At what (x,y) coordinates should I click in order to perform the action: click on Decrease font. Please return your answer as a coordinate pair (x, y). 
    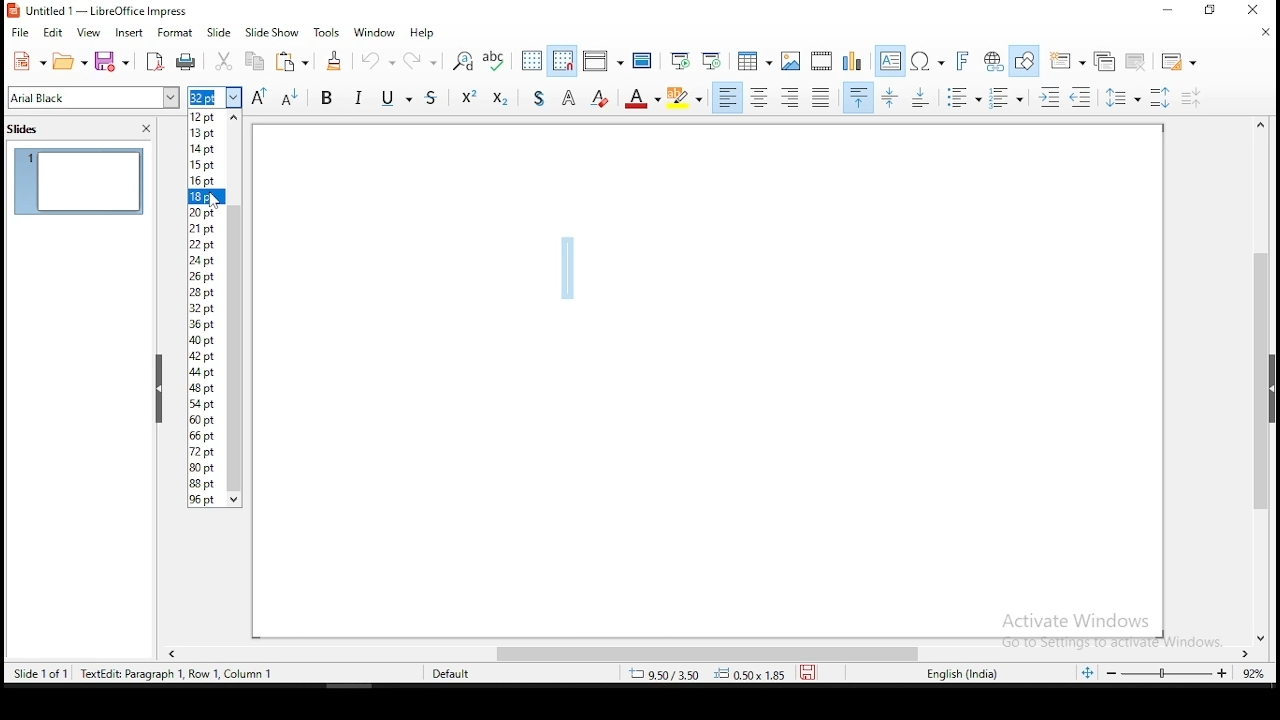
    Looking at the image, I should click on (287, 97).